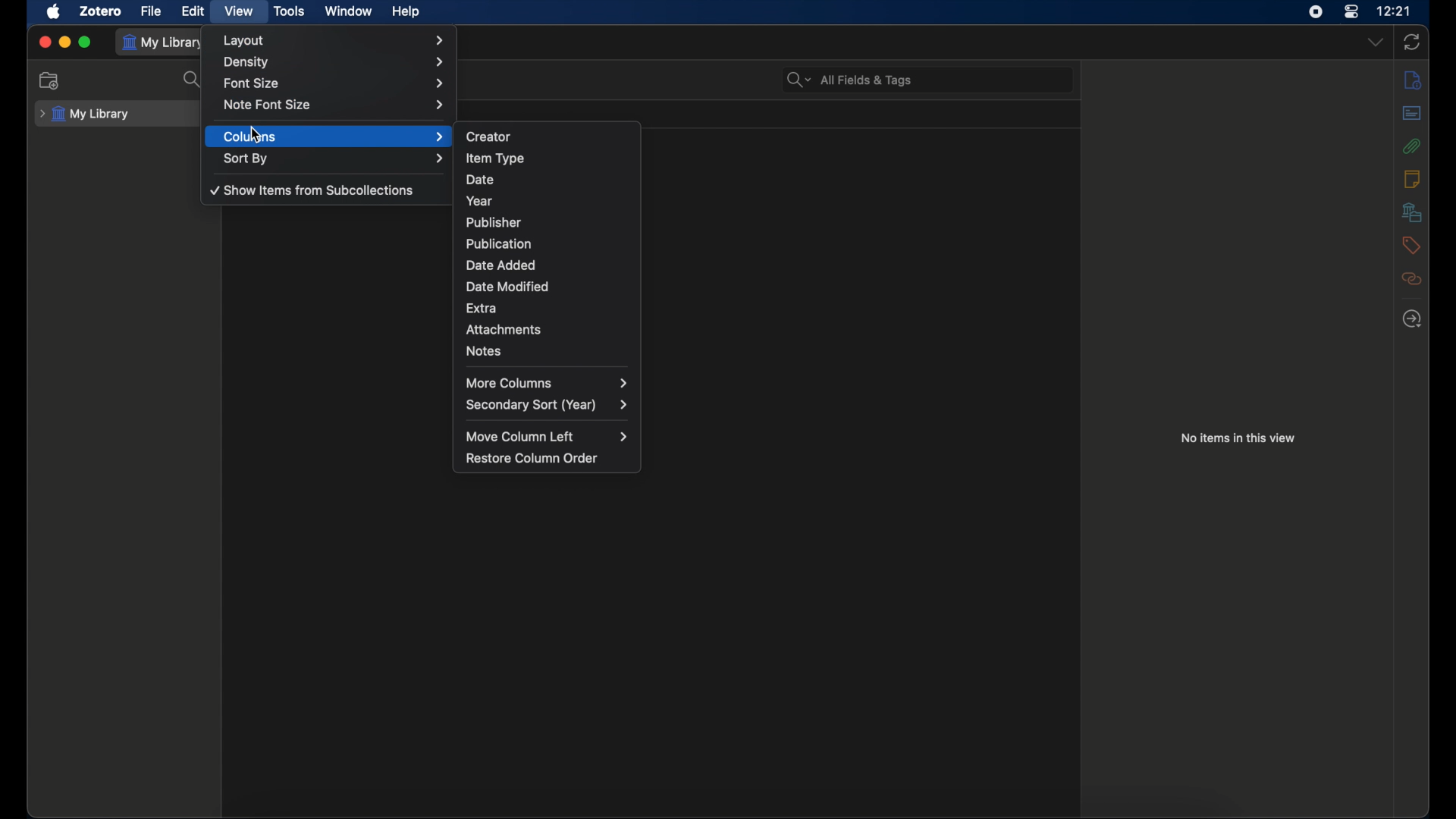 The height and width of the screenshot is (819, 1456). I want to click on attachments, so click(504, 329).